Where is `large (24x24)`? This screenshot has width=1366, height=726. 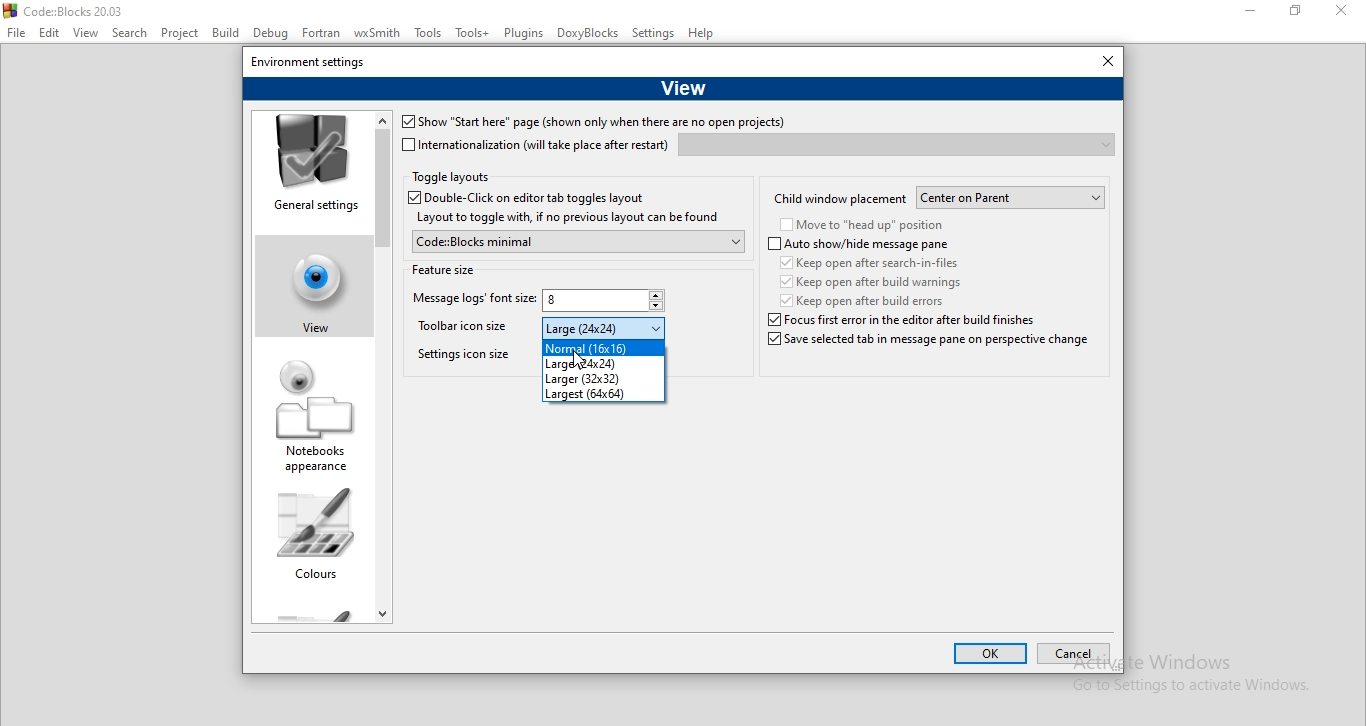 large (24x24) is located at coordinates (604, 328).